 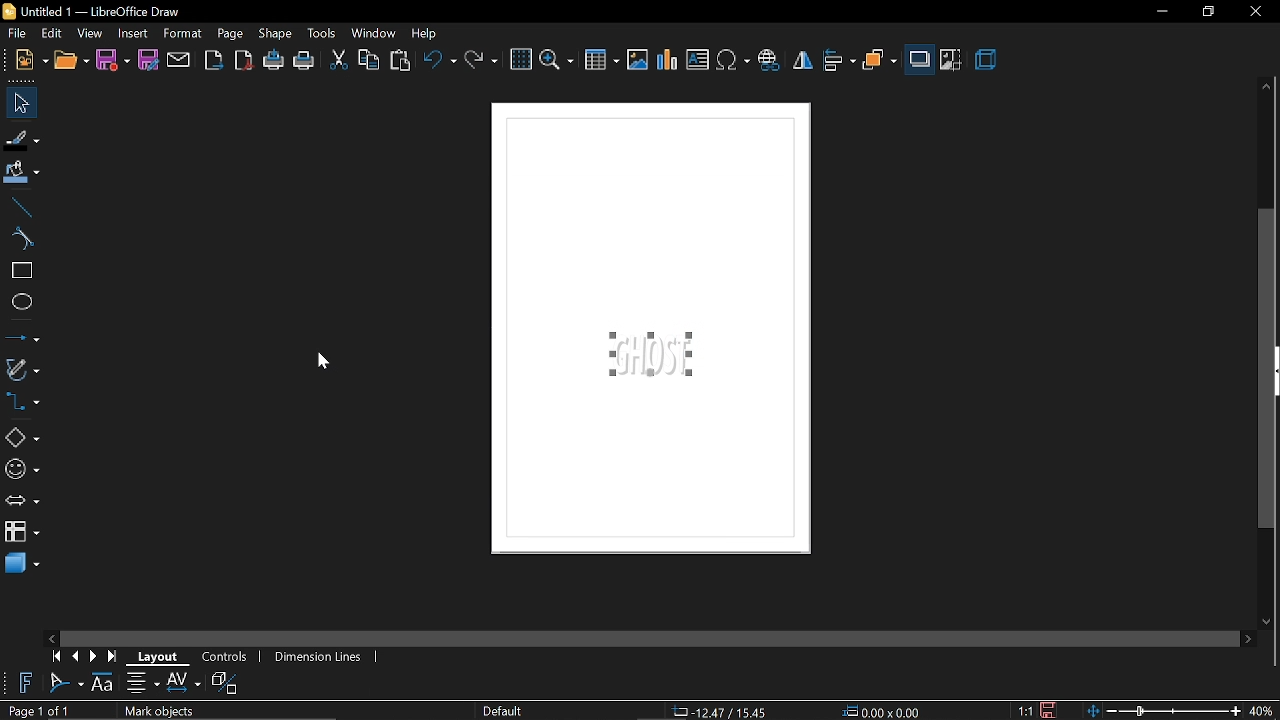 I want to click on move up, so click(x=1268, y=88).